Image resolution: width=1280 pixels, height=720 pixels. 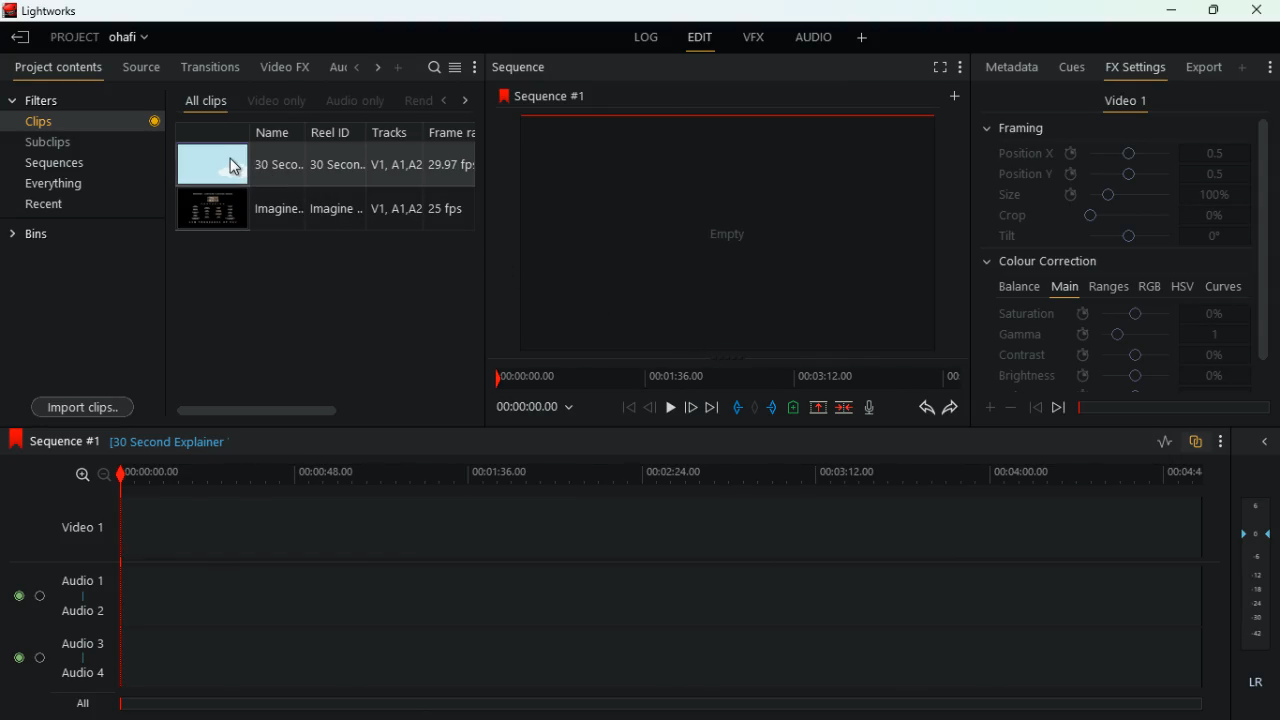 I want to click on ranges, so click(x=1108, y=286).